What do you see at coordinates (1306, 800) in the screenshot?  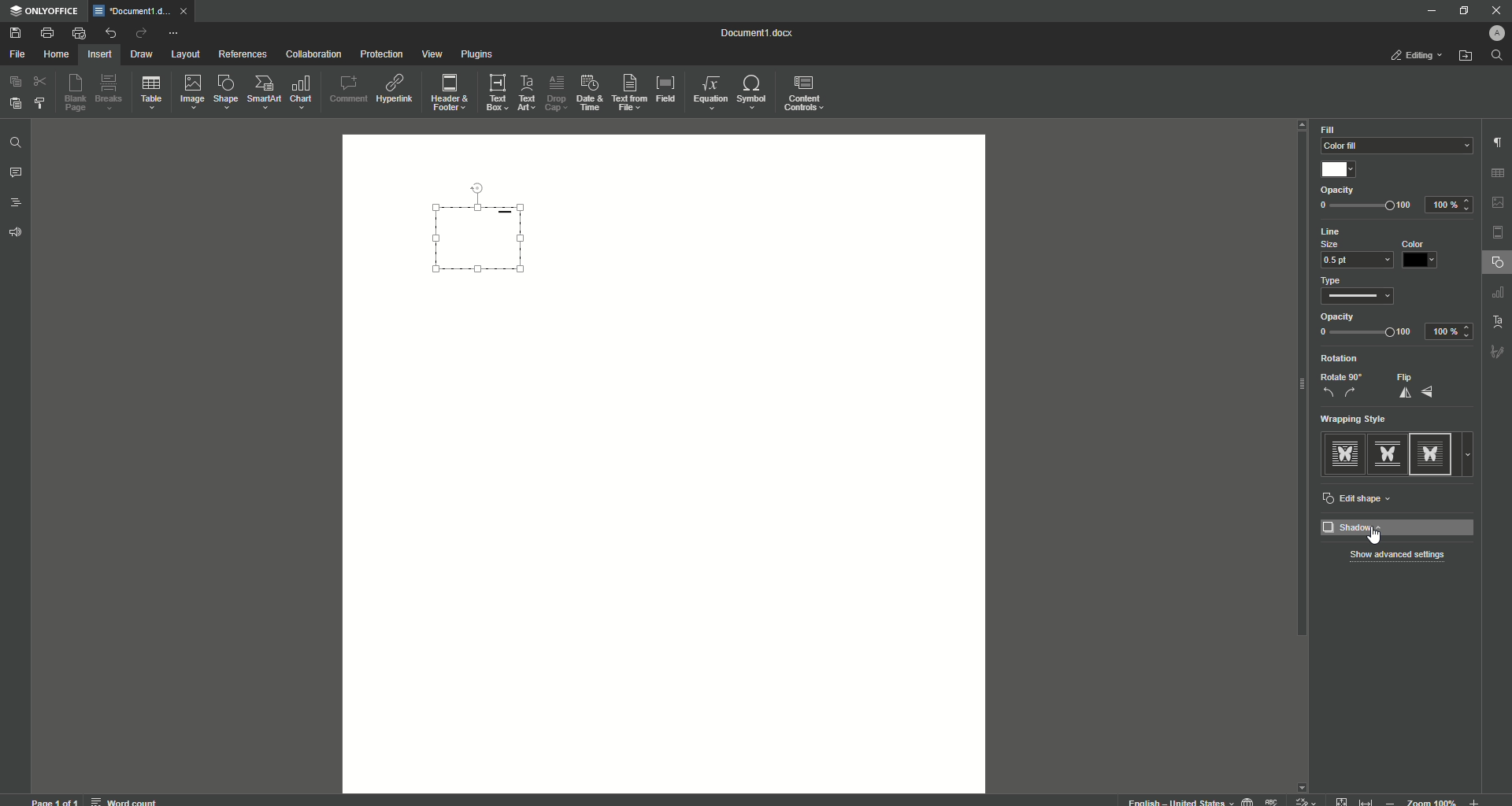 I see `track changes` at bounding box center [1306, 800].